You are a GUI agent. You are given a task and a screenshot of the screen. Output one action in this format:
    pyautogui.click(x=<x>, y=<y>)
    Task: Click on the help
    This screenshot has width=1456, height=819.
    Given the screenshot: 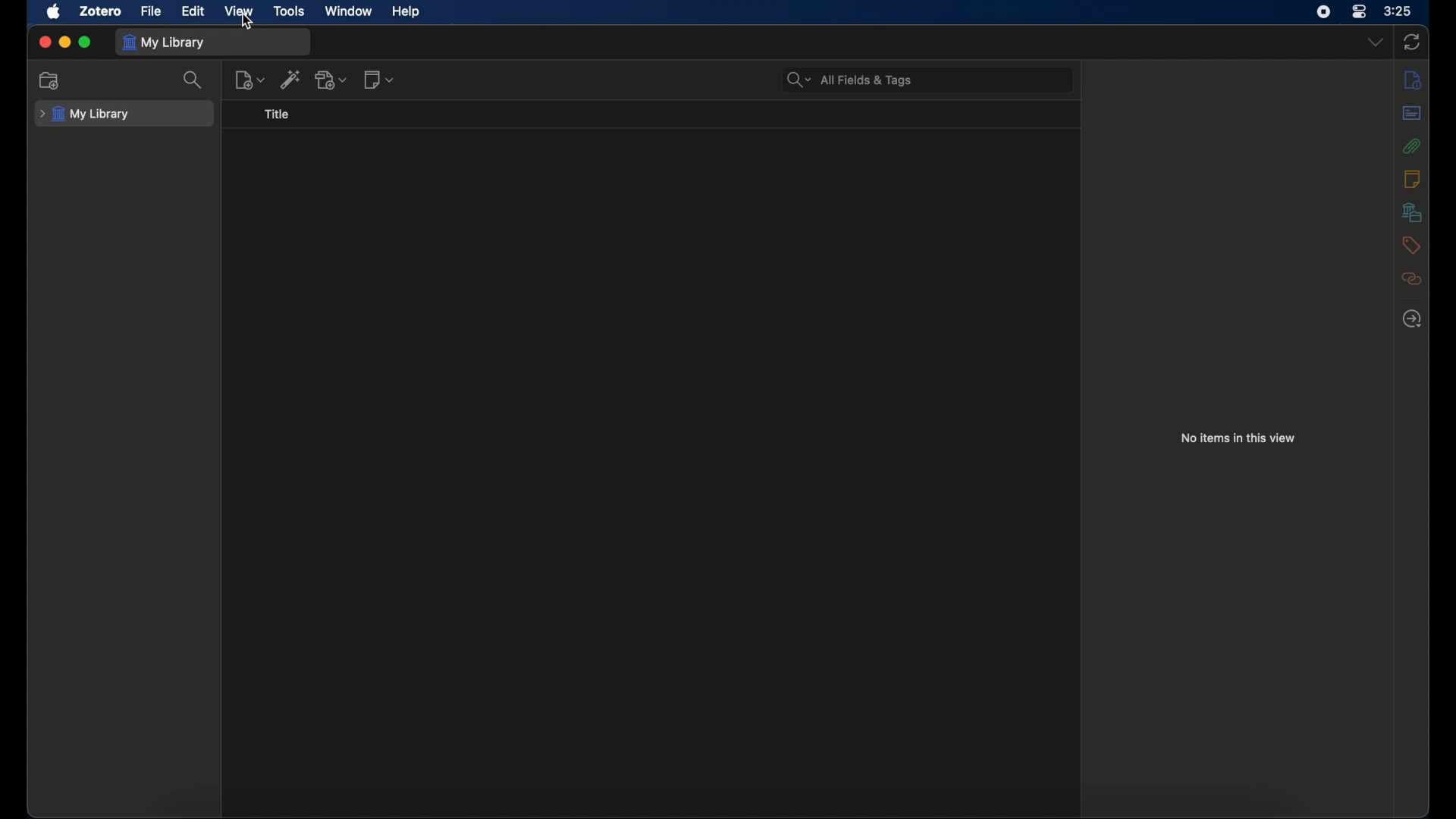 What is the action you would take?
    pyautogui.click(x=406, y=12)
    